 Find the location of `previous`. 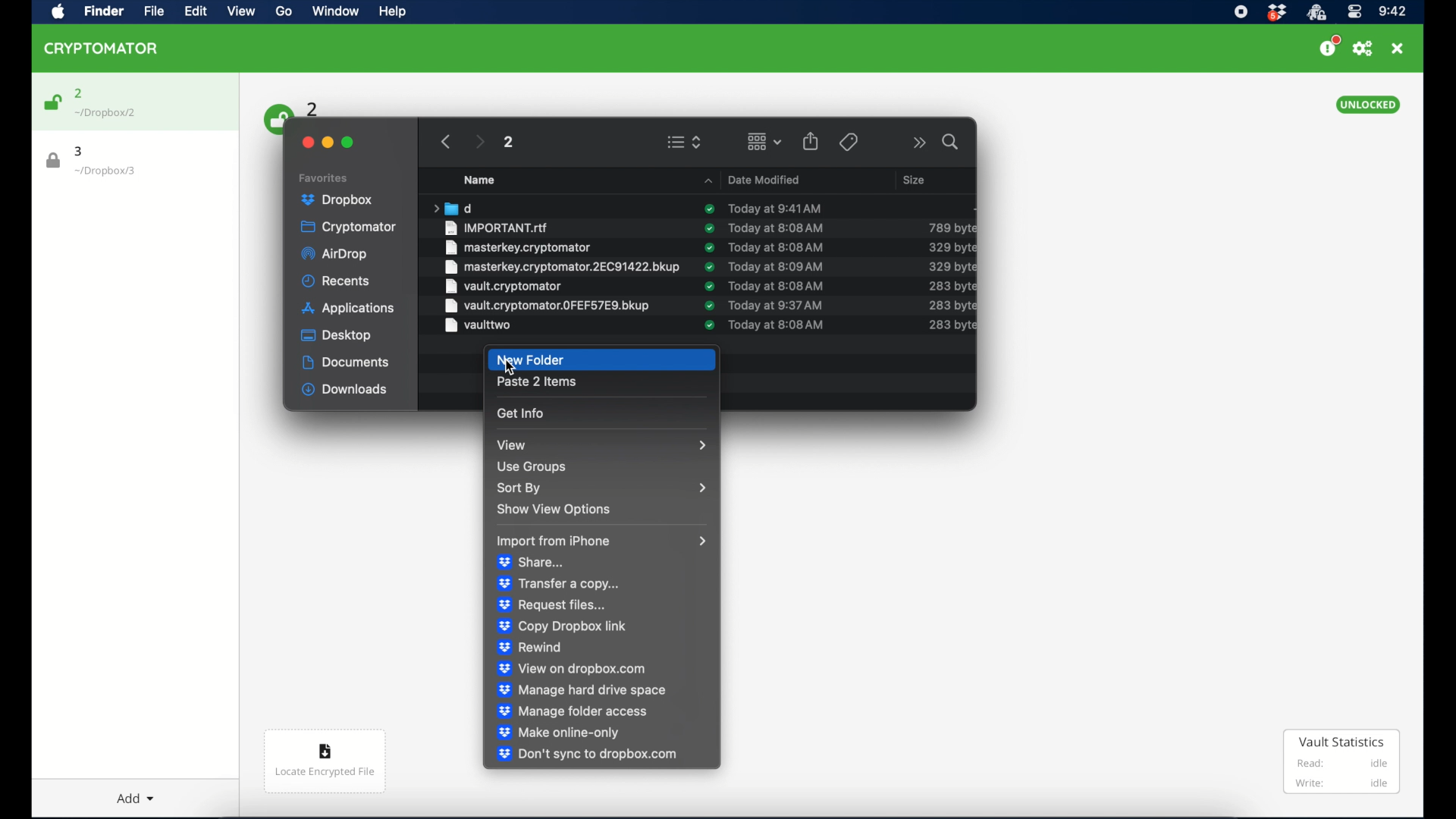

previous is located at coordinates (446, 142).